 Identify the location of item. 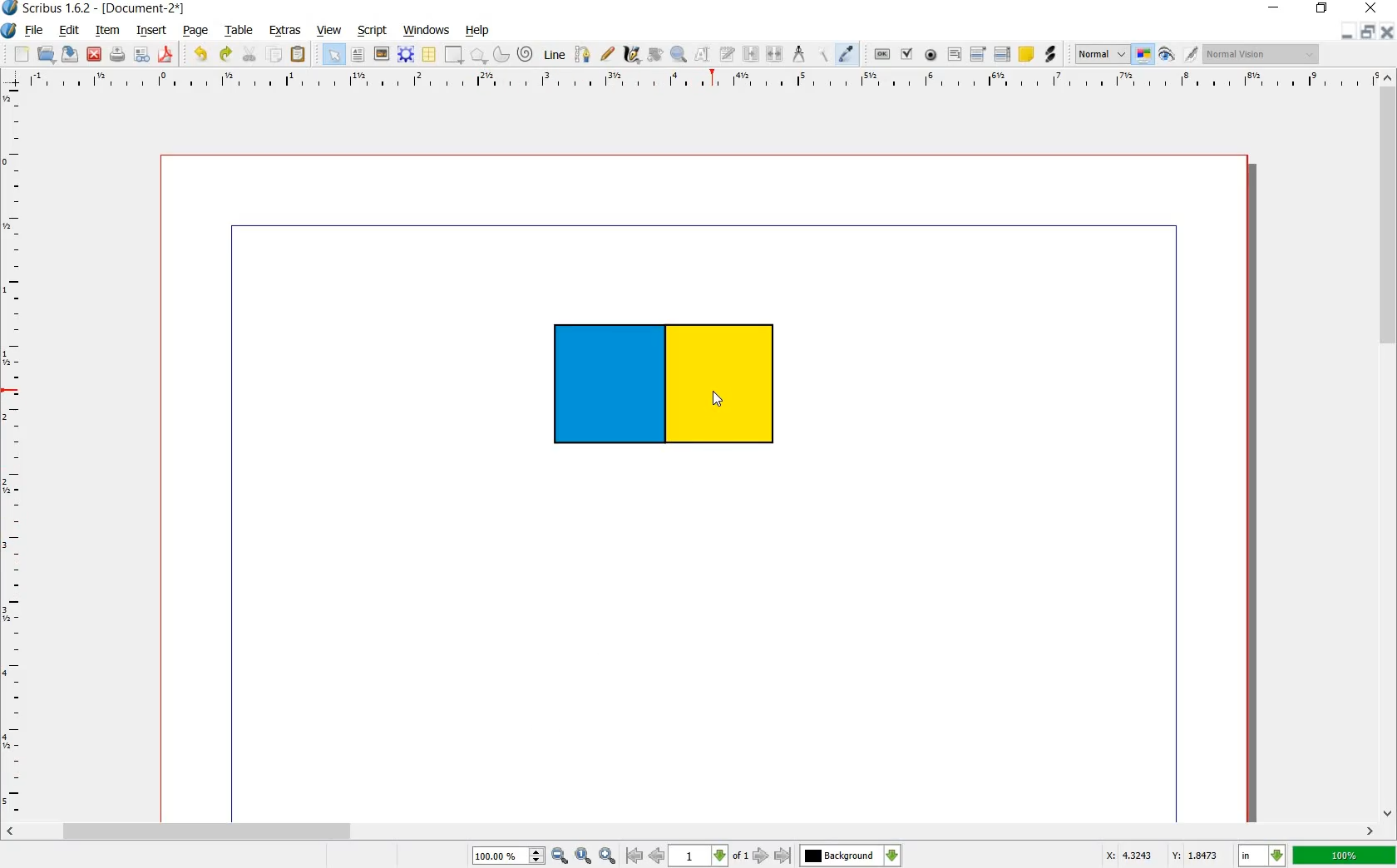
(108, 31).